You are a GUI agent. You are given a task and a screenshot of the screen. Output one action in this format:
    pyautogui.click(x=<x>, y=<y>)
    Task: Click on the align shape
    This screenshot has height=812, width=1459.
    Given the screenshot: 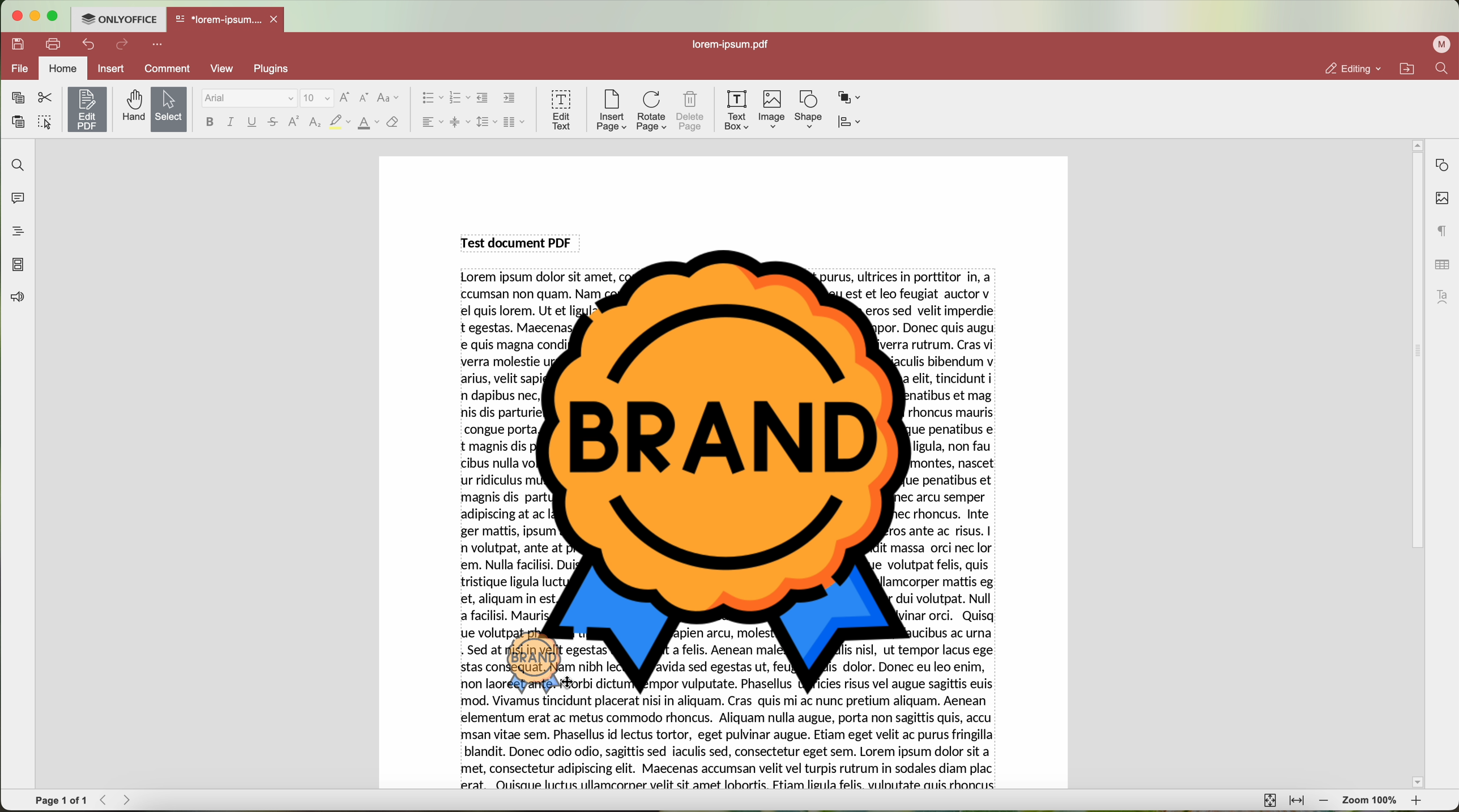 What is the action you would take?
    pyautogui.click(x=852, y=123)
    